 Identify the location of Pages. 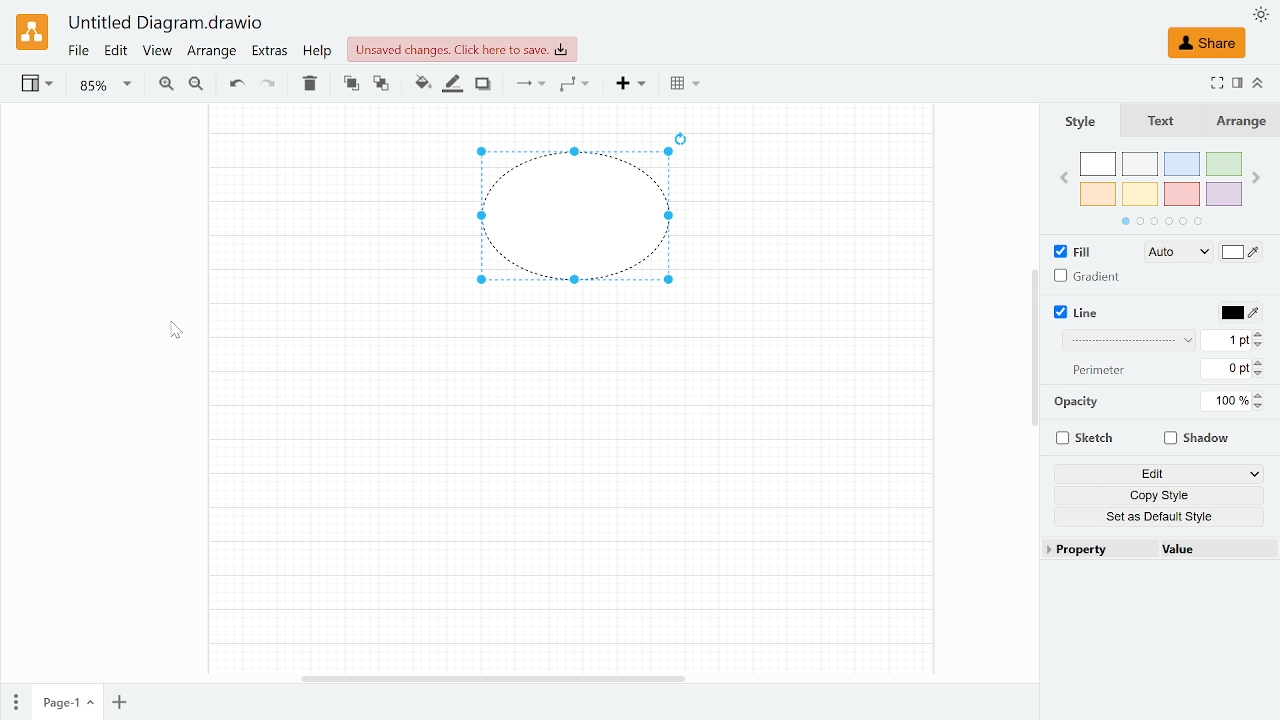
(16, 701).